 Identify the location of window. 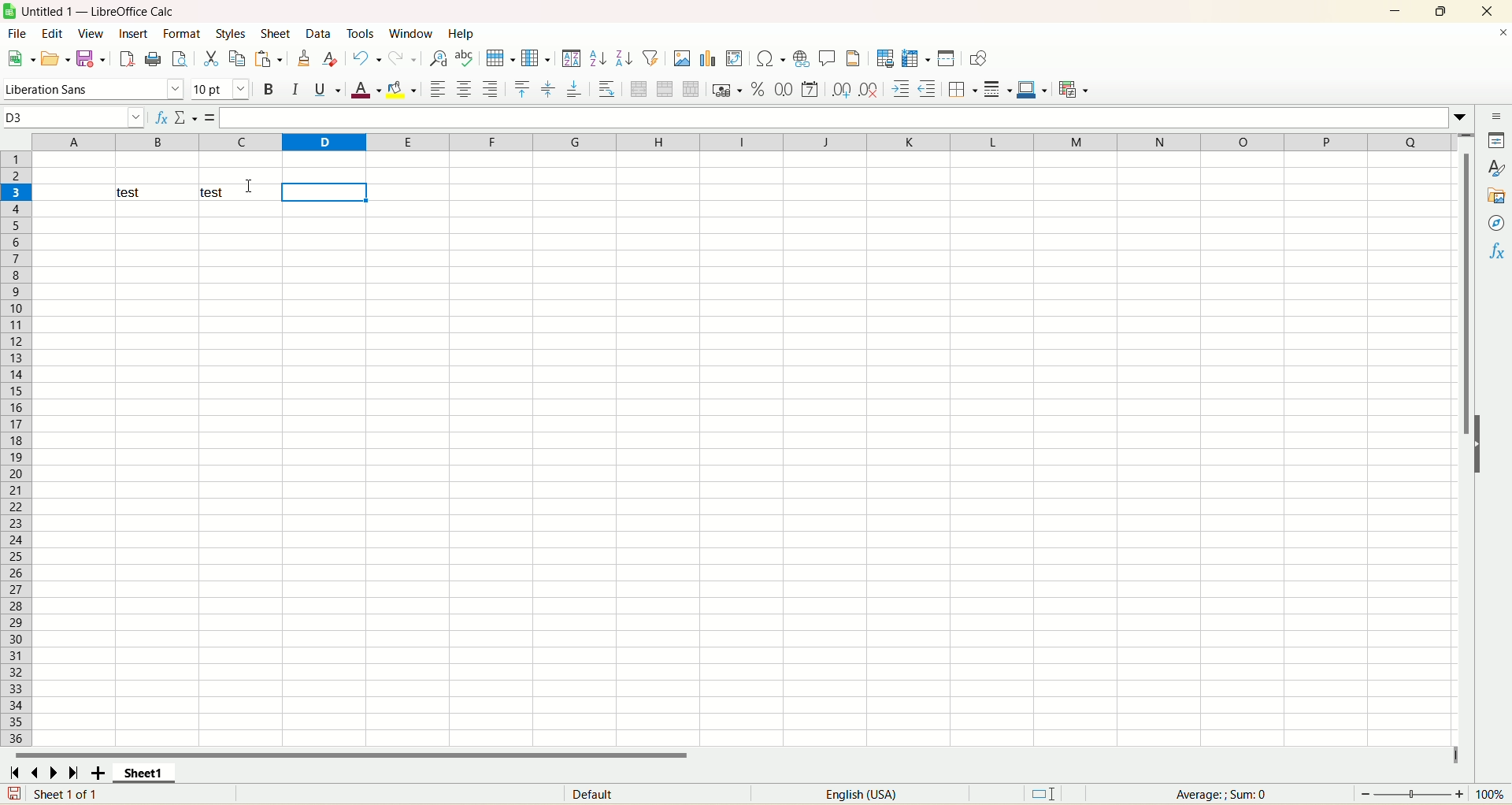
(414, 33).